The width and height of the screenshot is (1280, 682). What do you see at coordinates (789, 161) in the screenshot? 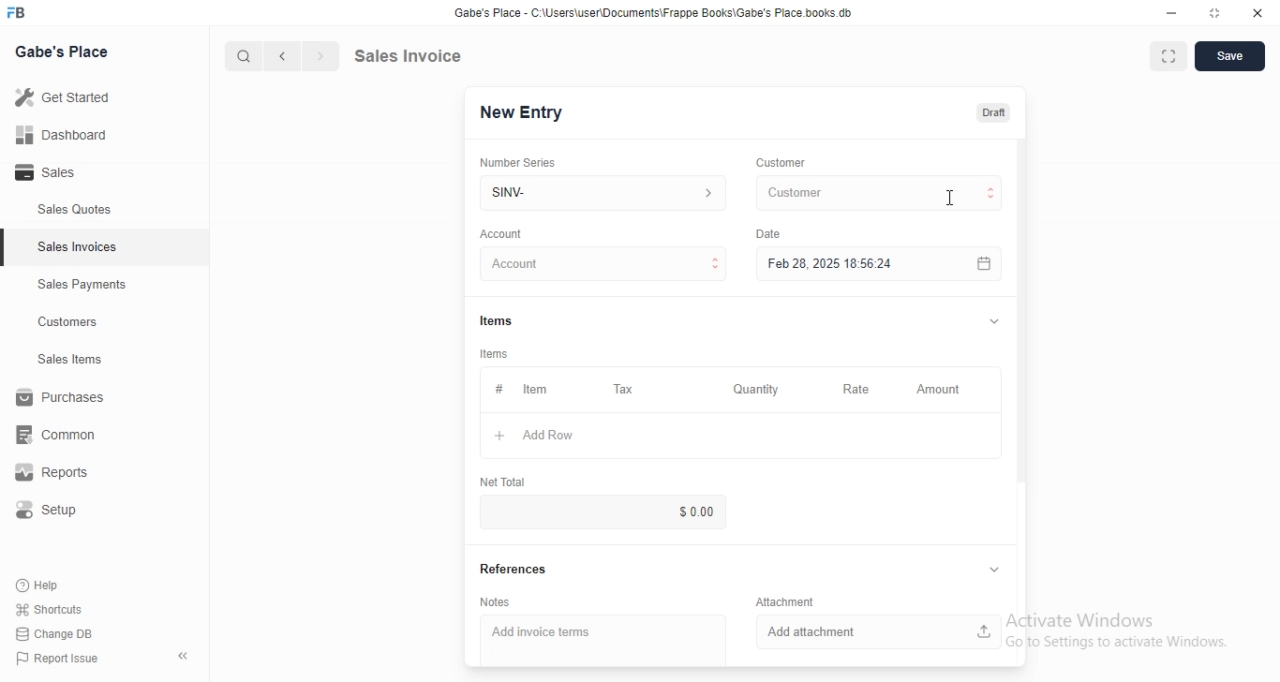
I see `Customer` at bounding box center [789, 161].